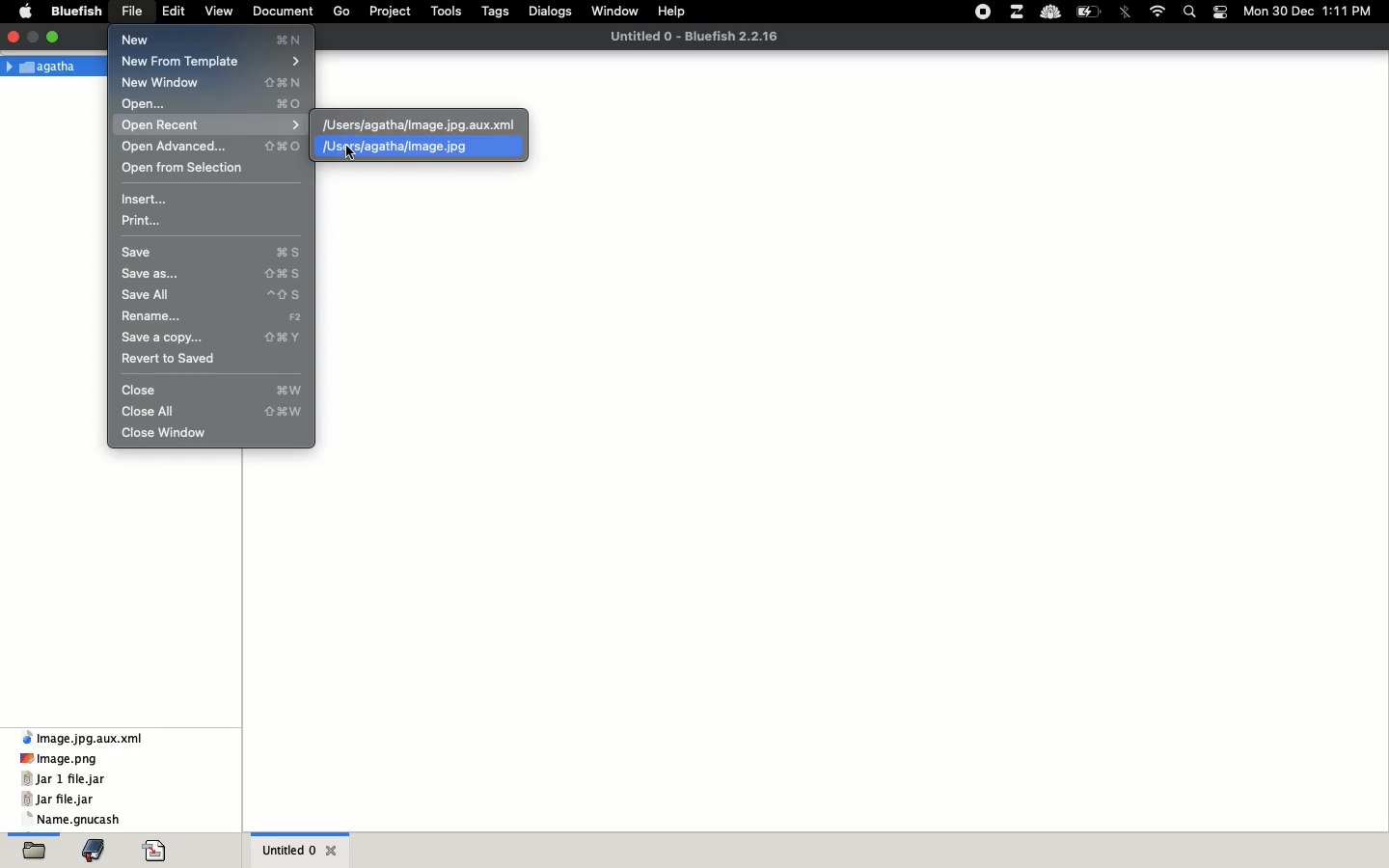 The image size is (1389, 868). What do you see at coordinates (497, 11) in the screenshot?
I see `tags` at bounding box center [497, 11].